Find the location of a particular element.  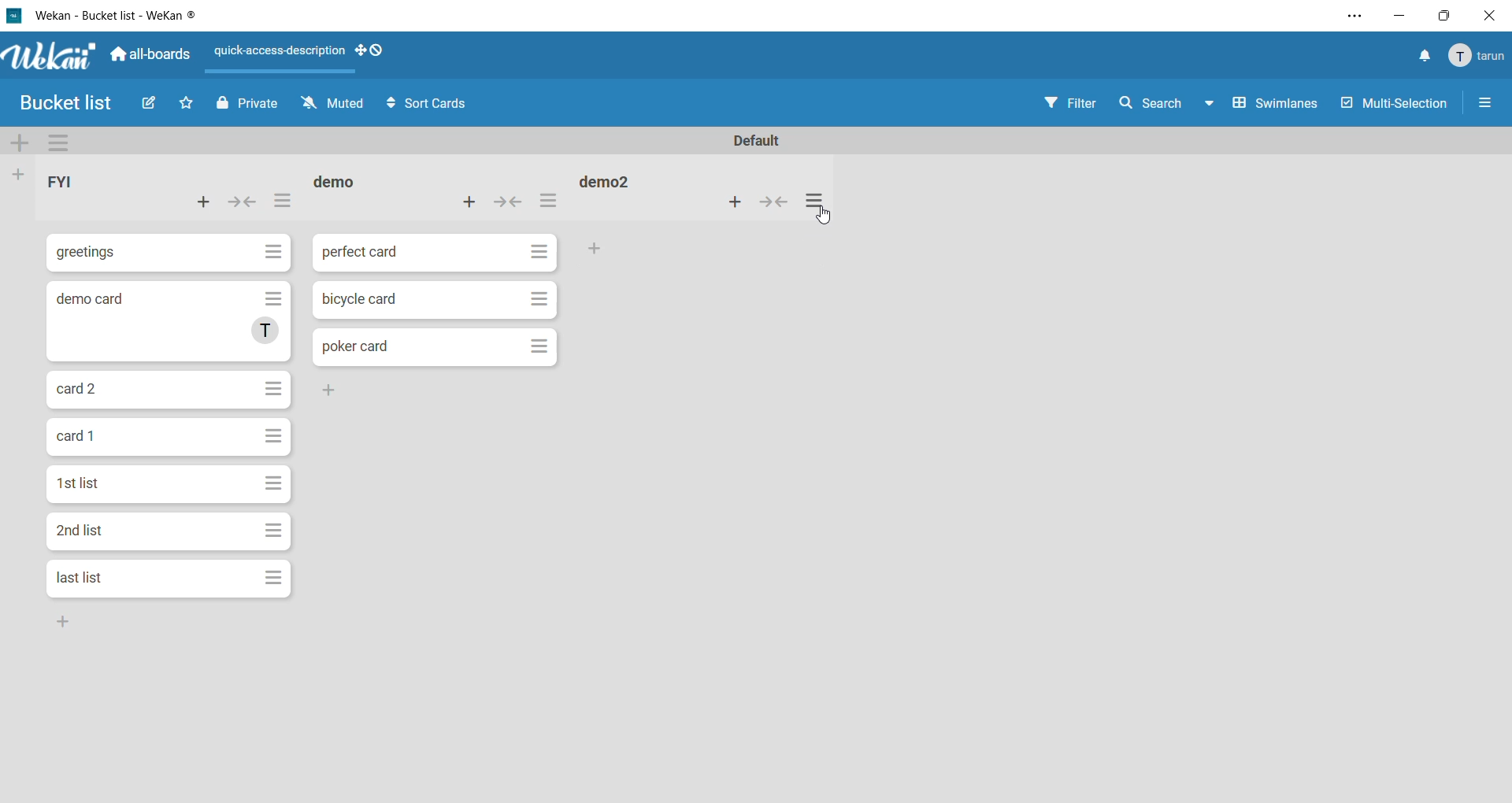

Muted is located at coordinates (329, 106).